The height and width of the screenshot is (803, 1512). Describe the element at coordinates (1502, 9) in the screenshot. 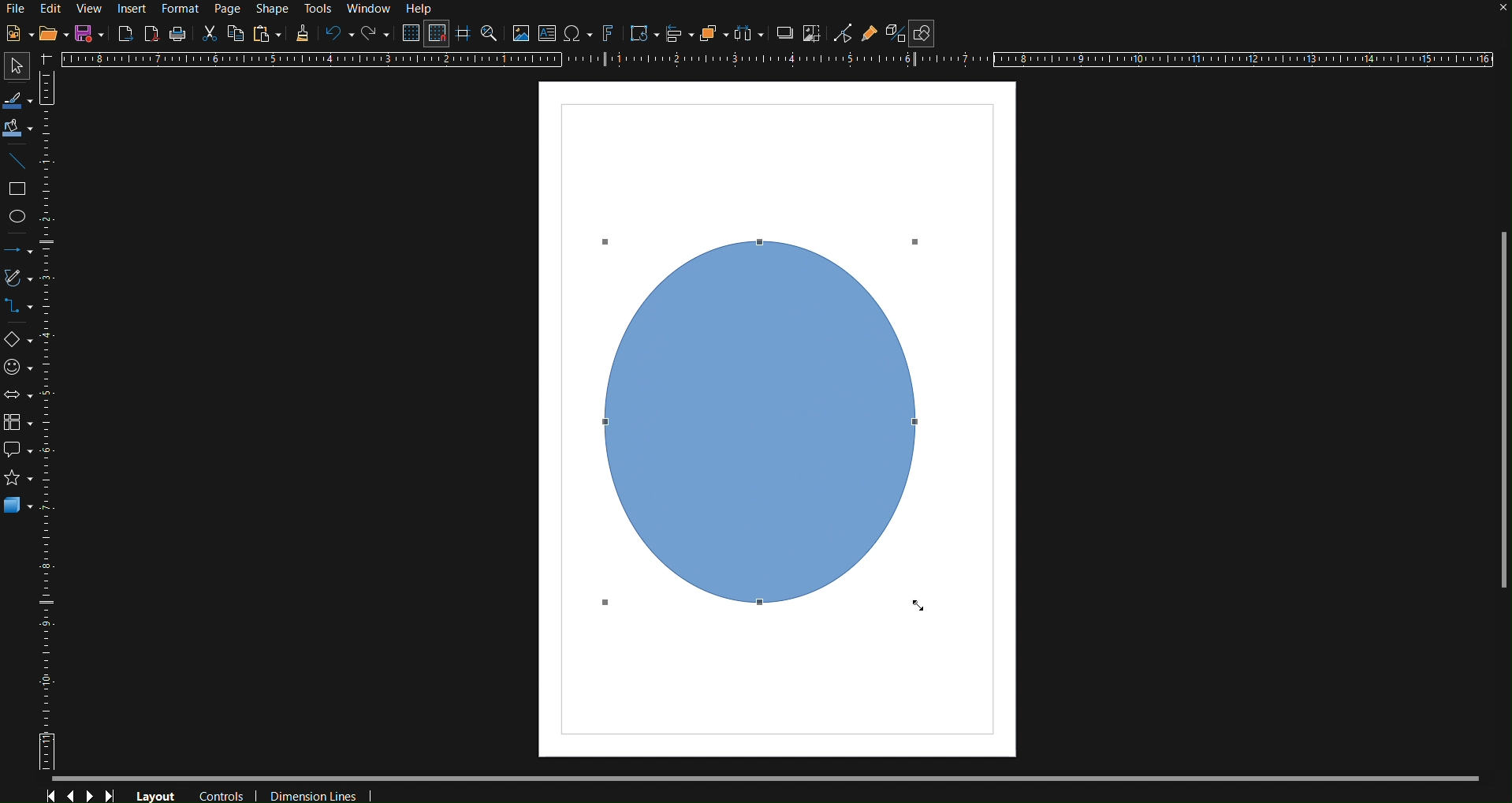

I see `close` at that location.